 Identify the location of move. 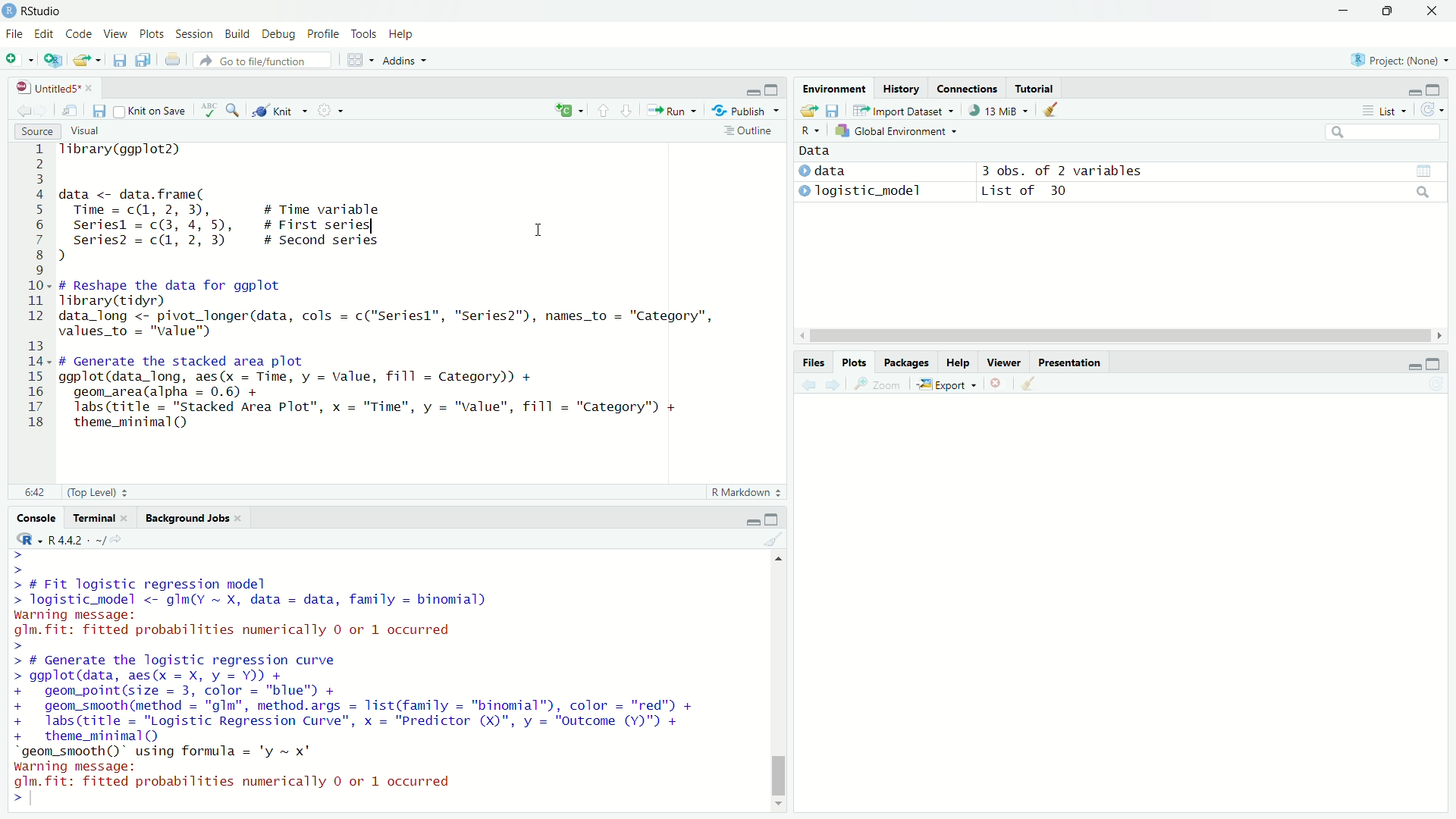
(71, 109).